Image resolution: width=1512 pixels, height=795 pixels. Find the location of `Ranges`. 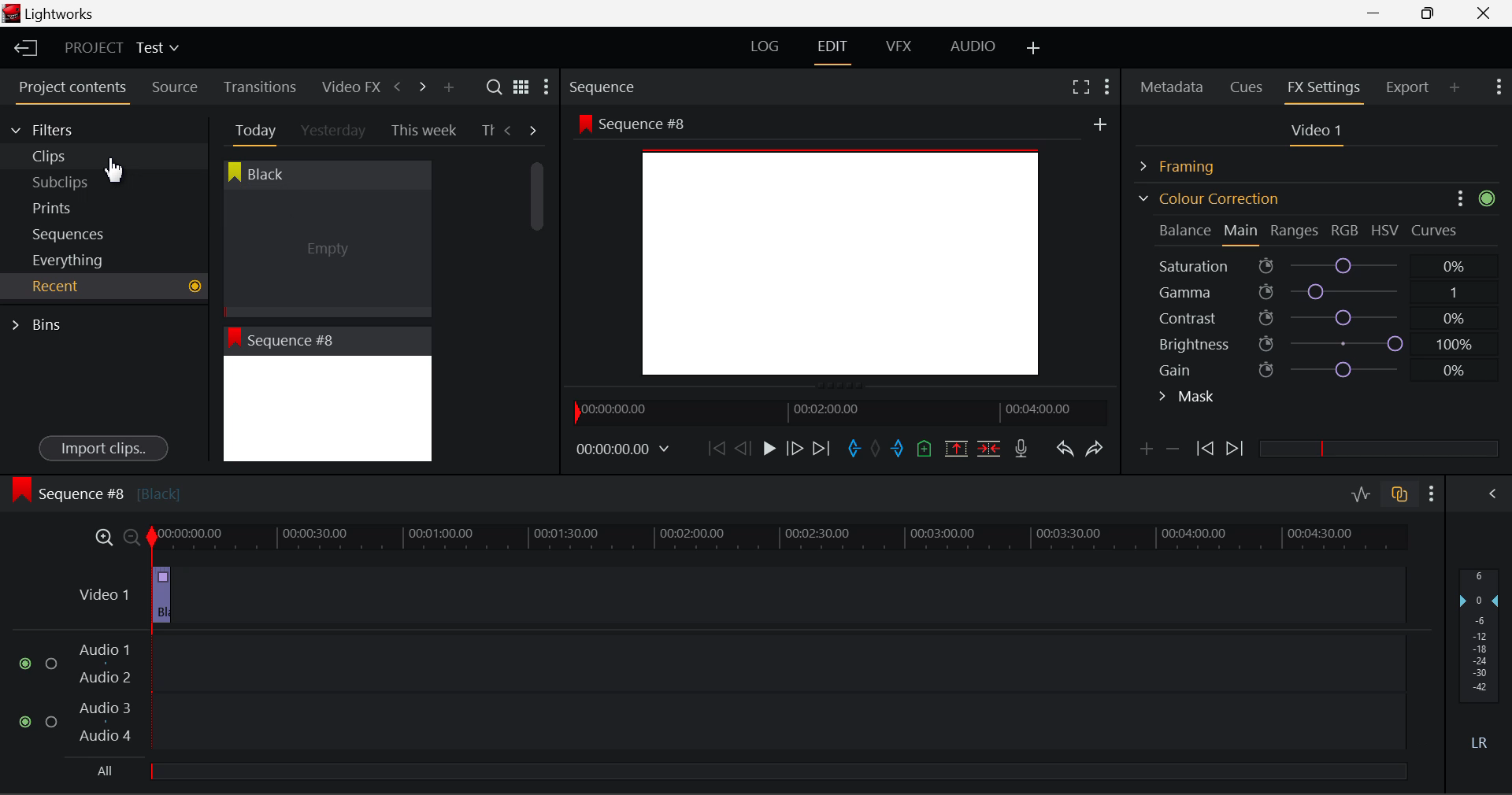

Ranges is located at coordinates (1295, 232).